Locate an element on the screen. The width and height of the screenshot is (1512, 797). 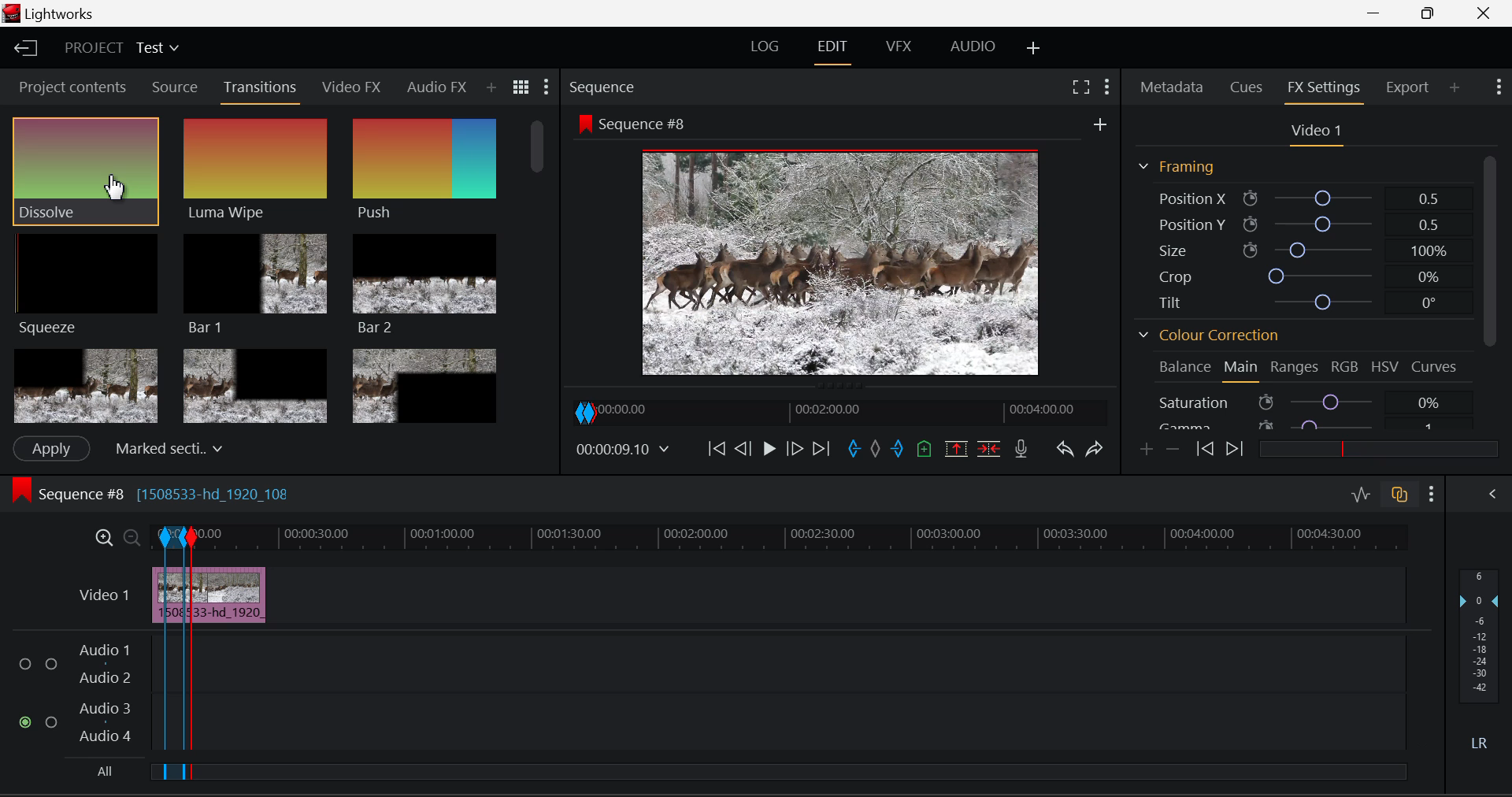
Redo is located at coordinates (1098, 450).